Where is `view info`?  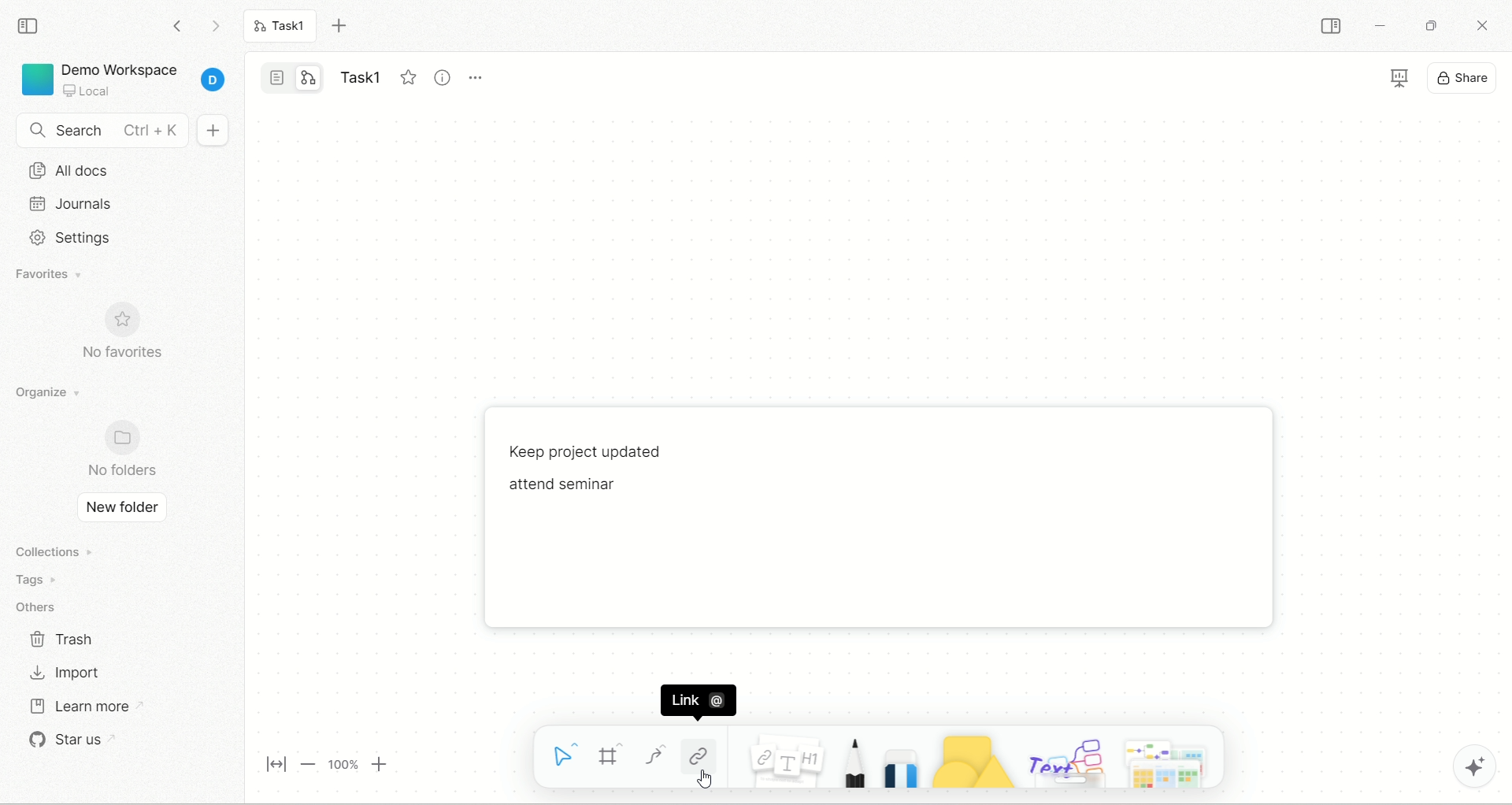
view info is located at coordinates (440, 76).